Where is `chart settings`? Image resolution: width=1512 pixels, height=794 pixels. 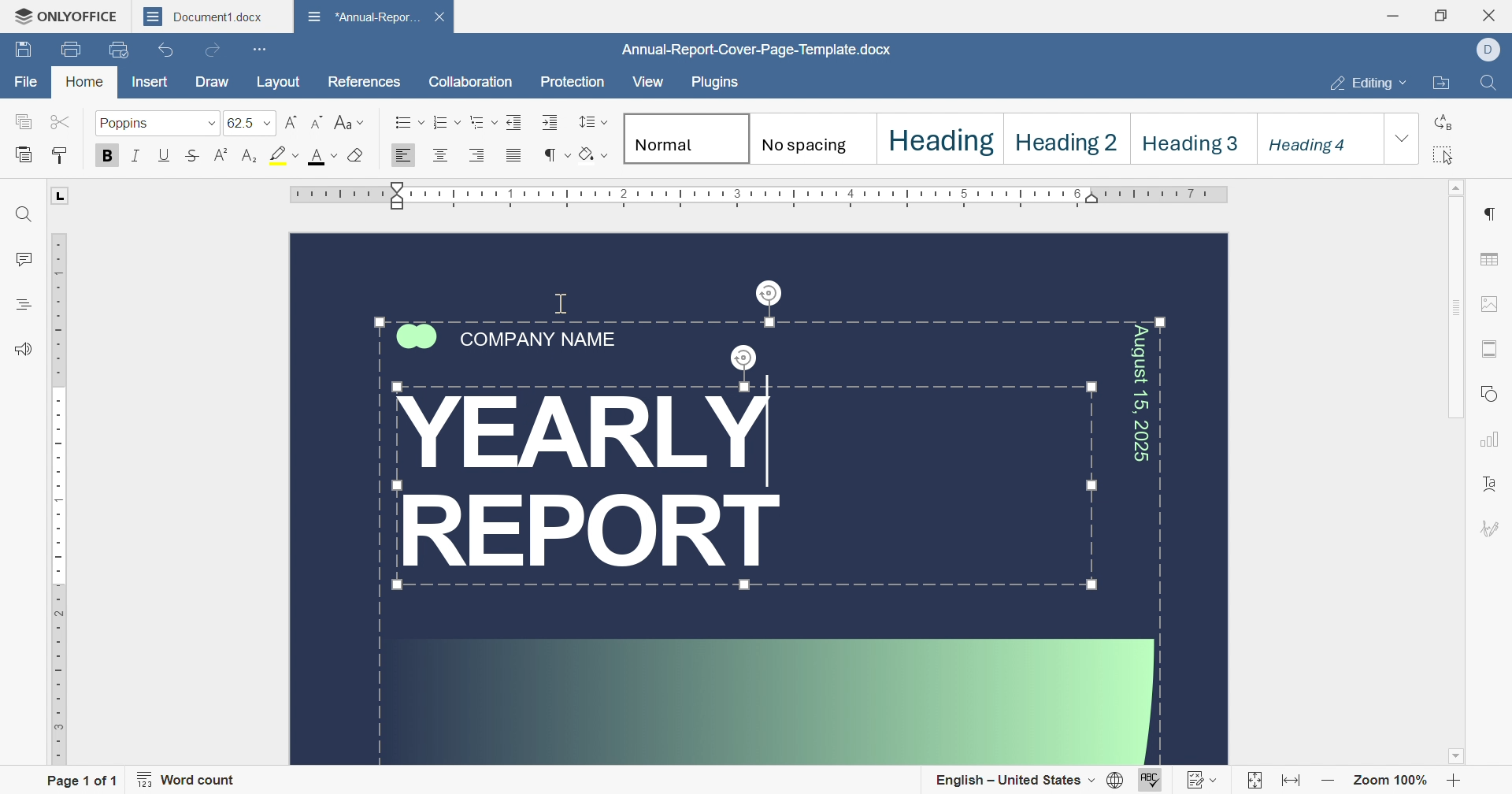
chart settings is located at coordinates (1492, 440).